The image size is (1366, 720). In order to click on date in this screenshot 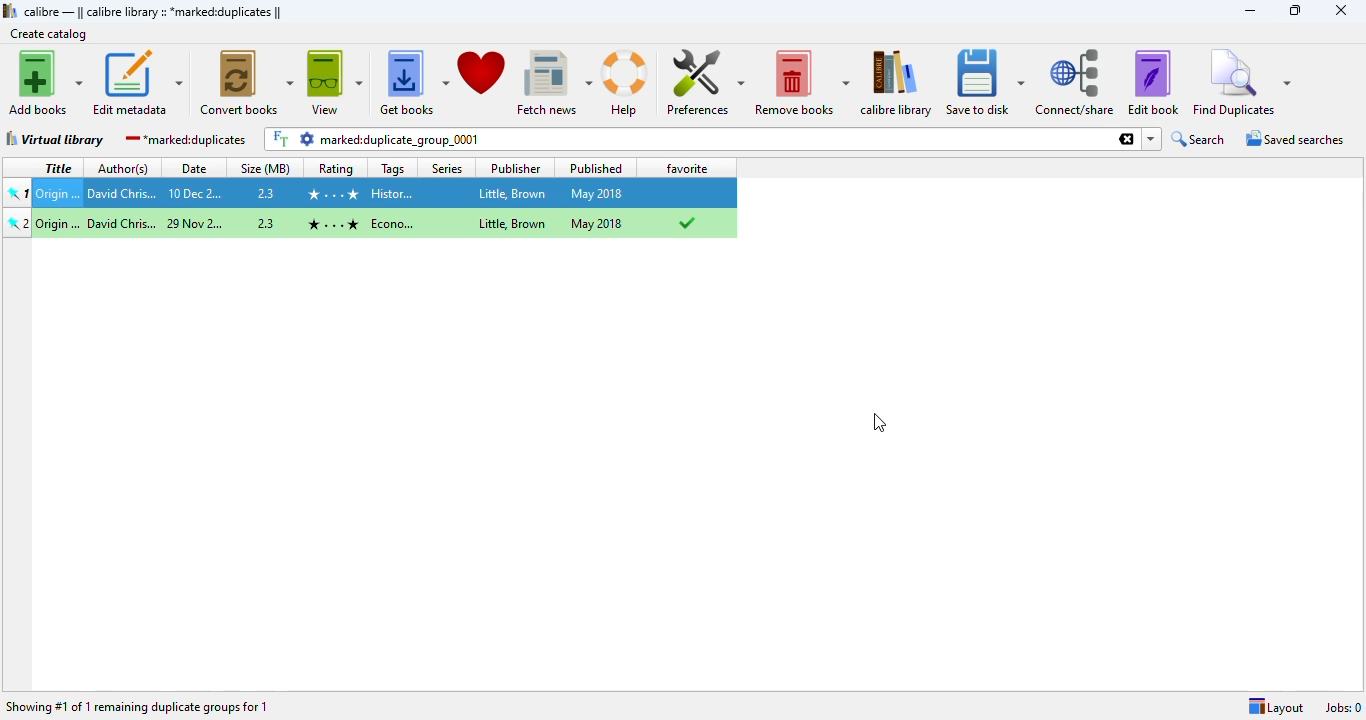, I will do `click(199, 167)`.